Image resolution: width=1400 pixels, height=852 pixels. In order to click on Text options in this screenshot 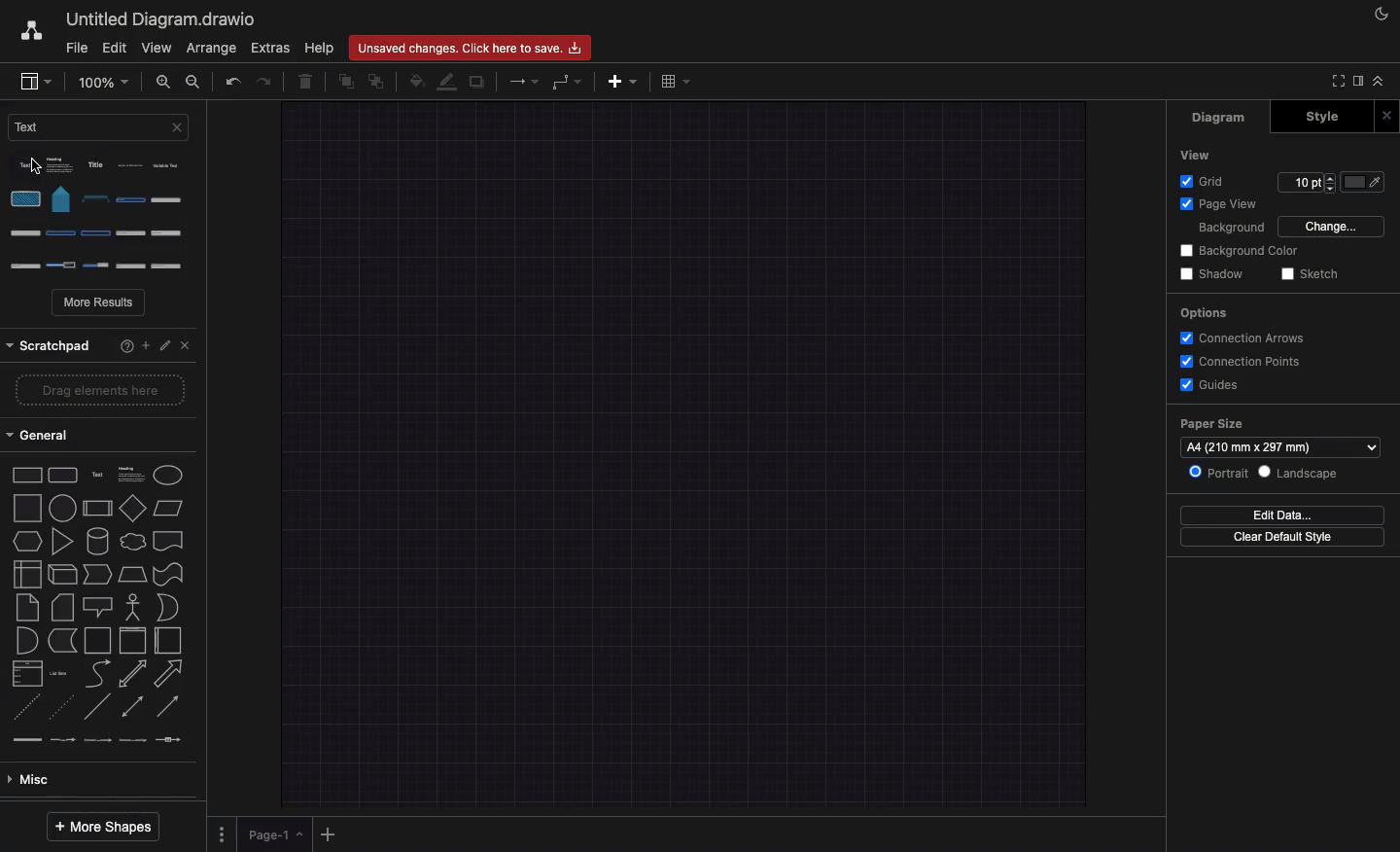, I will do `click(103, 210)`.